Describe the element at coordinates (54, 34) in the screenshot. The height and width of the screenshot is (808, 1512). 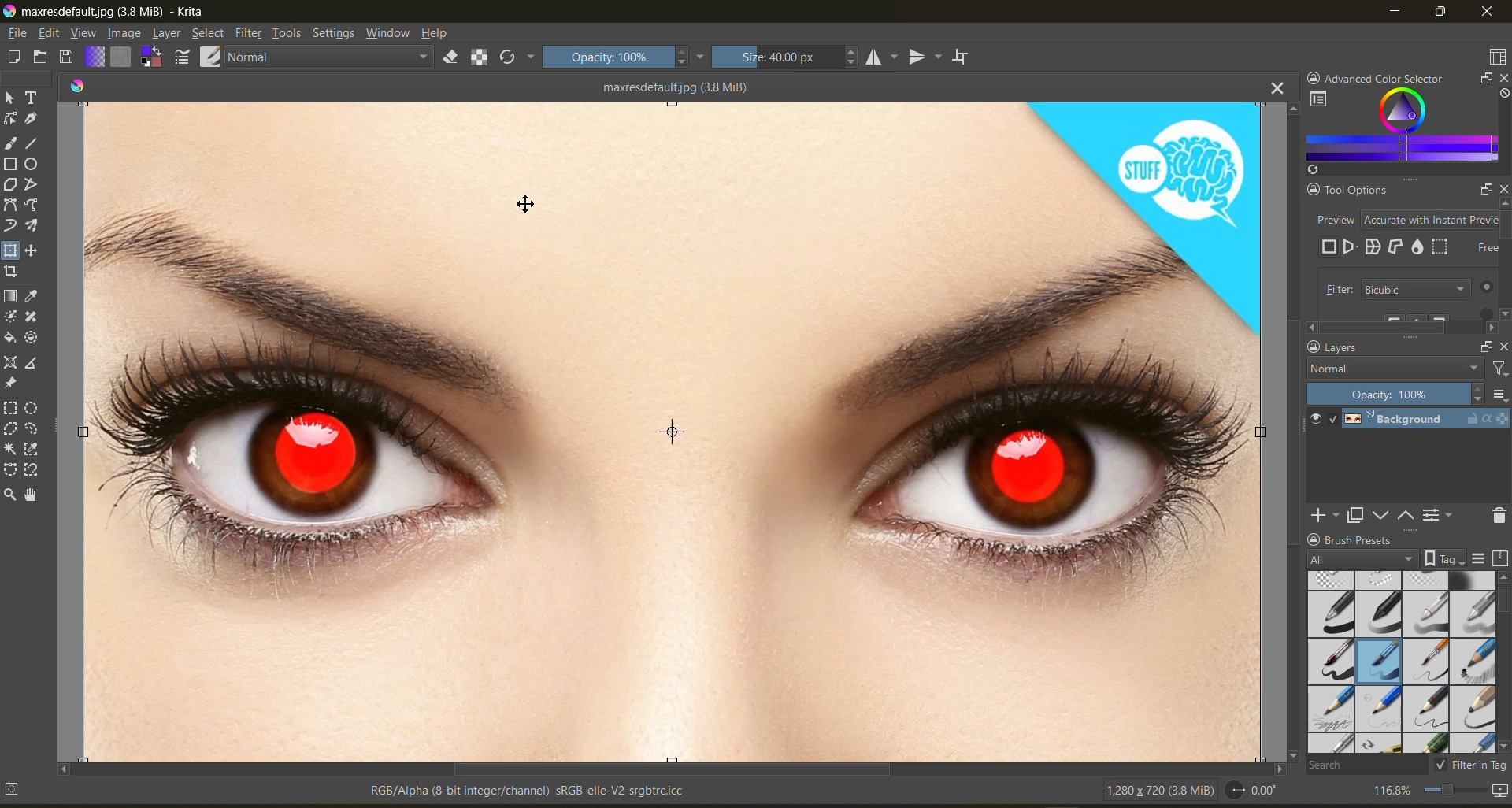
I see `edit` at that location.